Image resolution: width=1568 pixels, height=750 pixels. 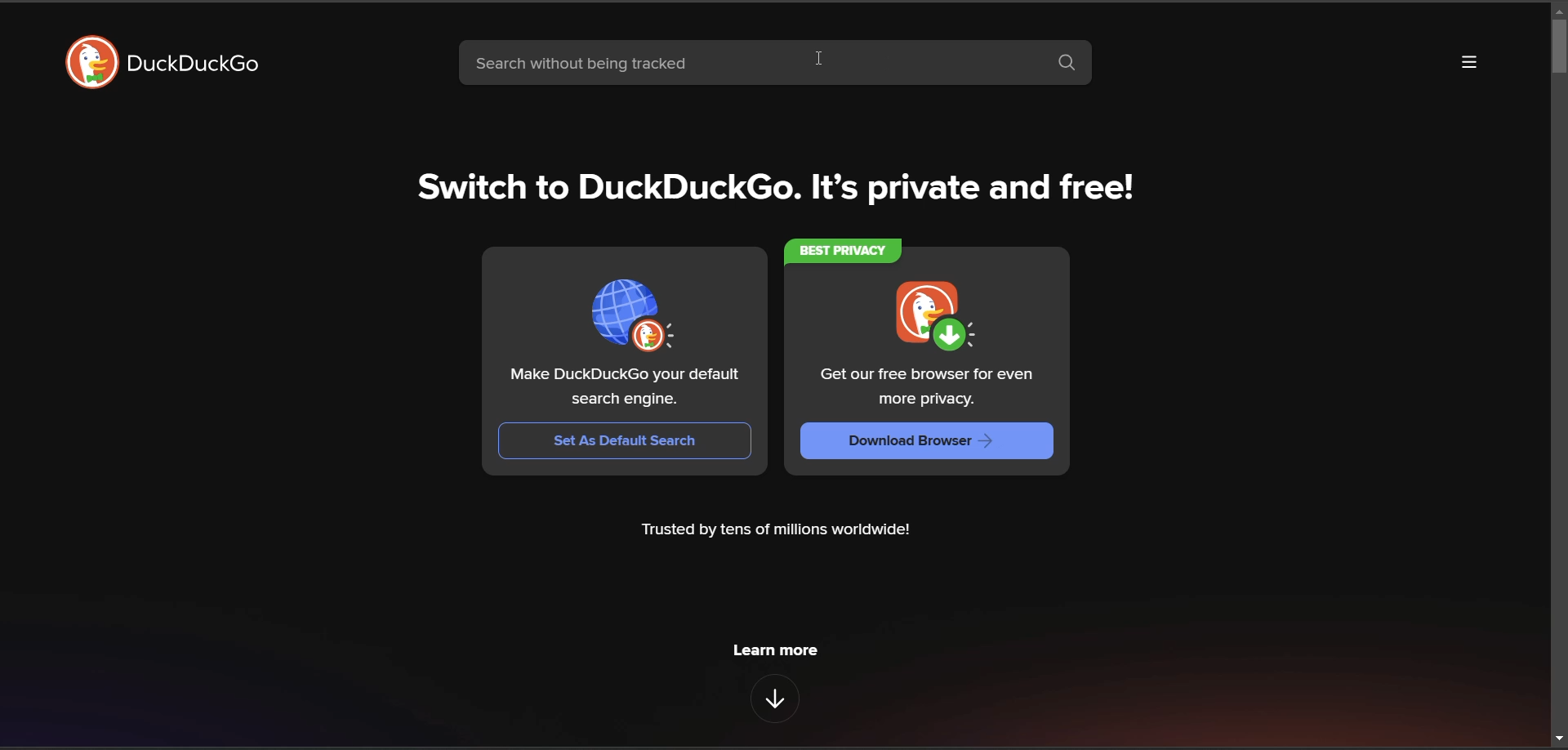 What do you see at coordinates (818, 60) in the screenshot?
I see `cursor` at bounding box center [818, 60].